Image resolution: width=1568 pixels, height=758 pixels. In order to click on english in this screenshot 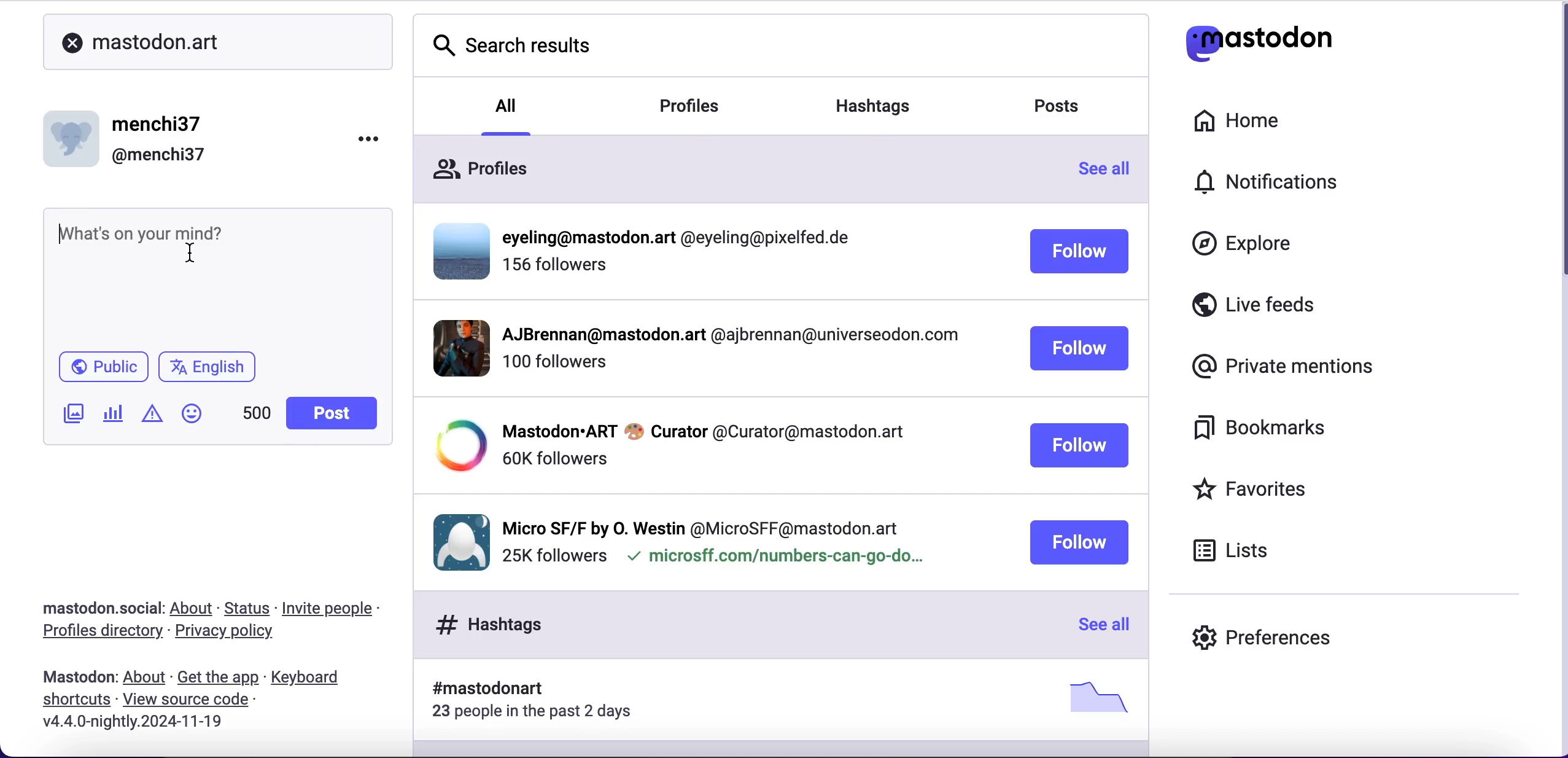, I will do `click(210, 370)`.